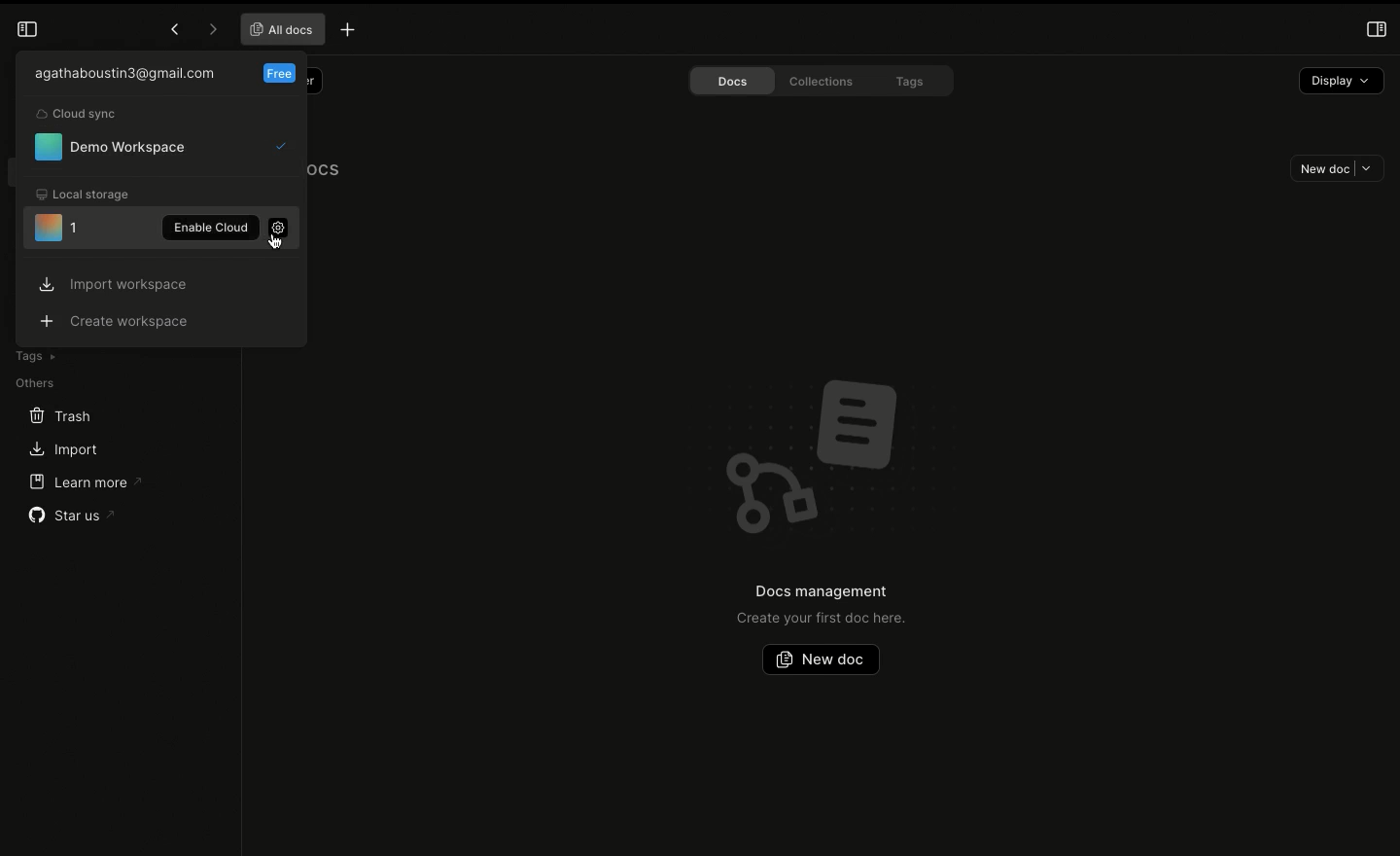 This screenshot has height=856, width=1400. Describe the element at coordinates (35, 356) in the screenshot. I see `Tags` at that location.